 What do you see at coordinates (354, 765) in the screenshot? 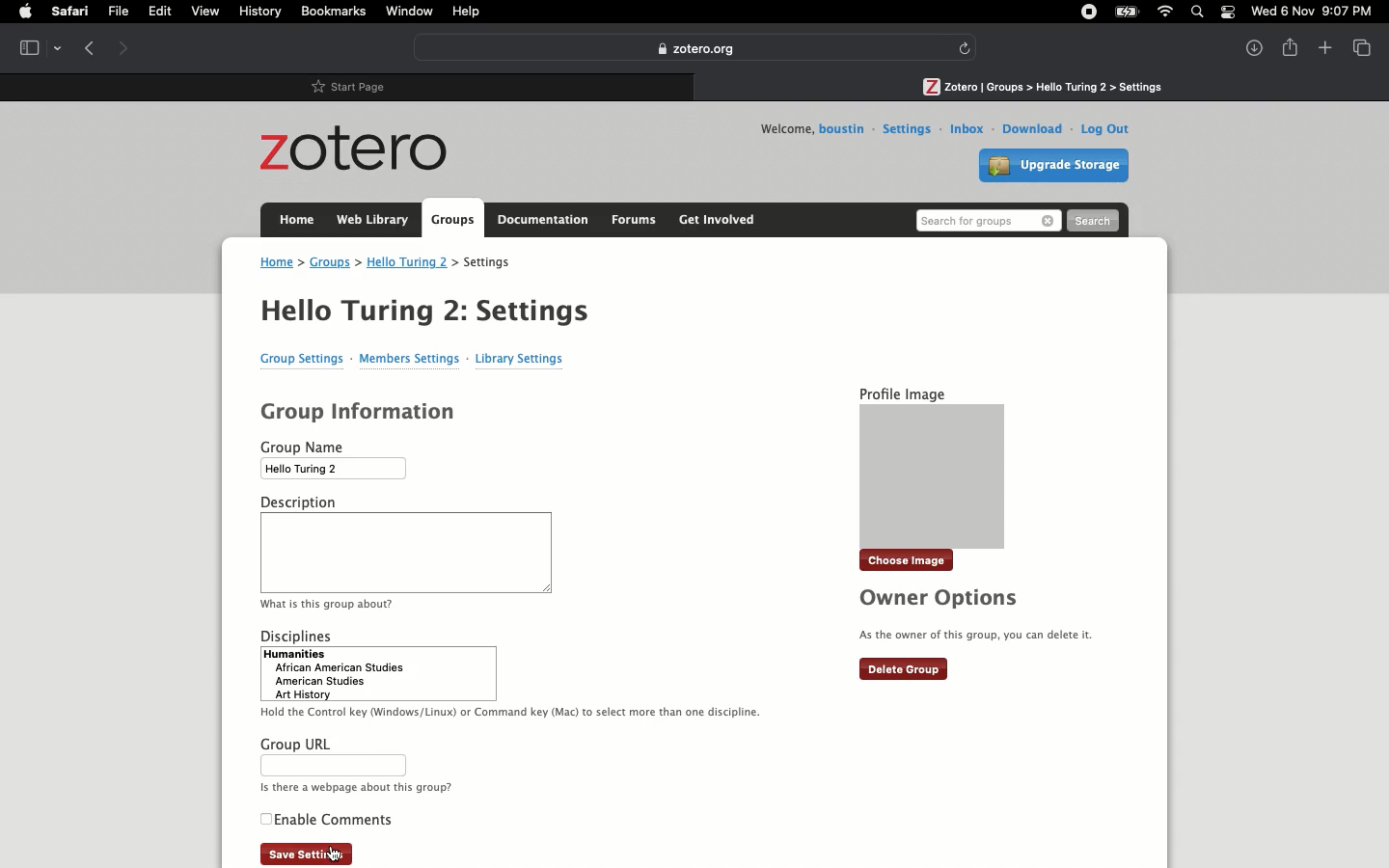
I see `Group URL` at bounding box center [354, 765].